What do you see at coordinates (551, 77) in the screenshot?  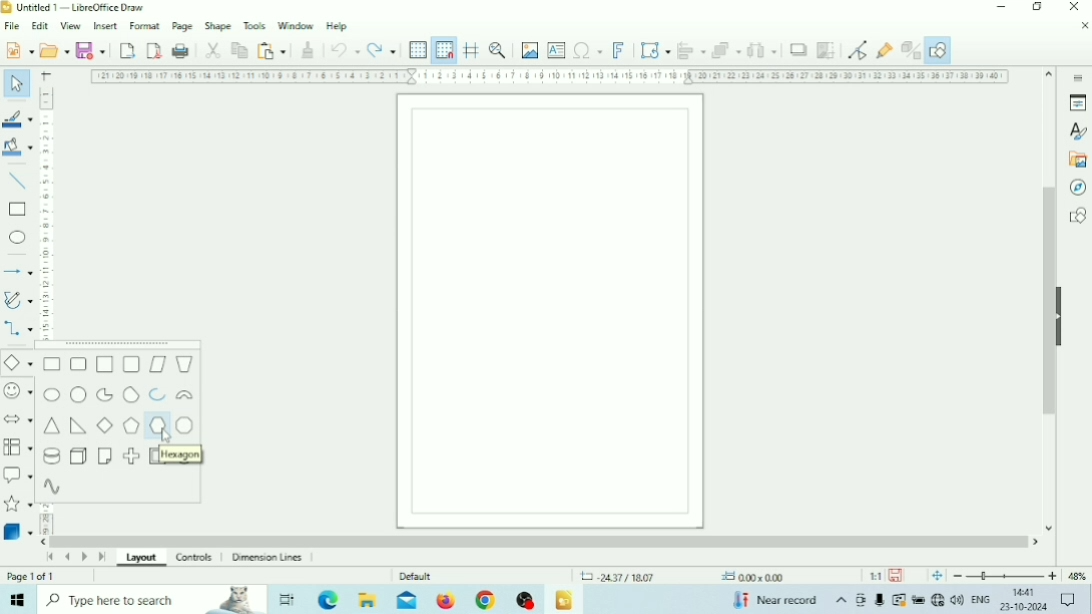 I see `Horizontal scale` at bounding box center [551, 77].